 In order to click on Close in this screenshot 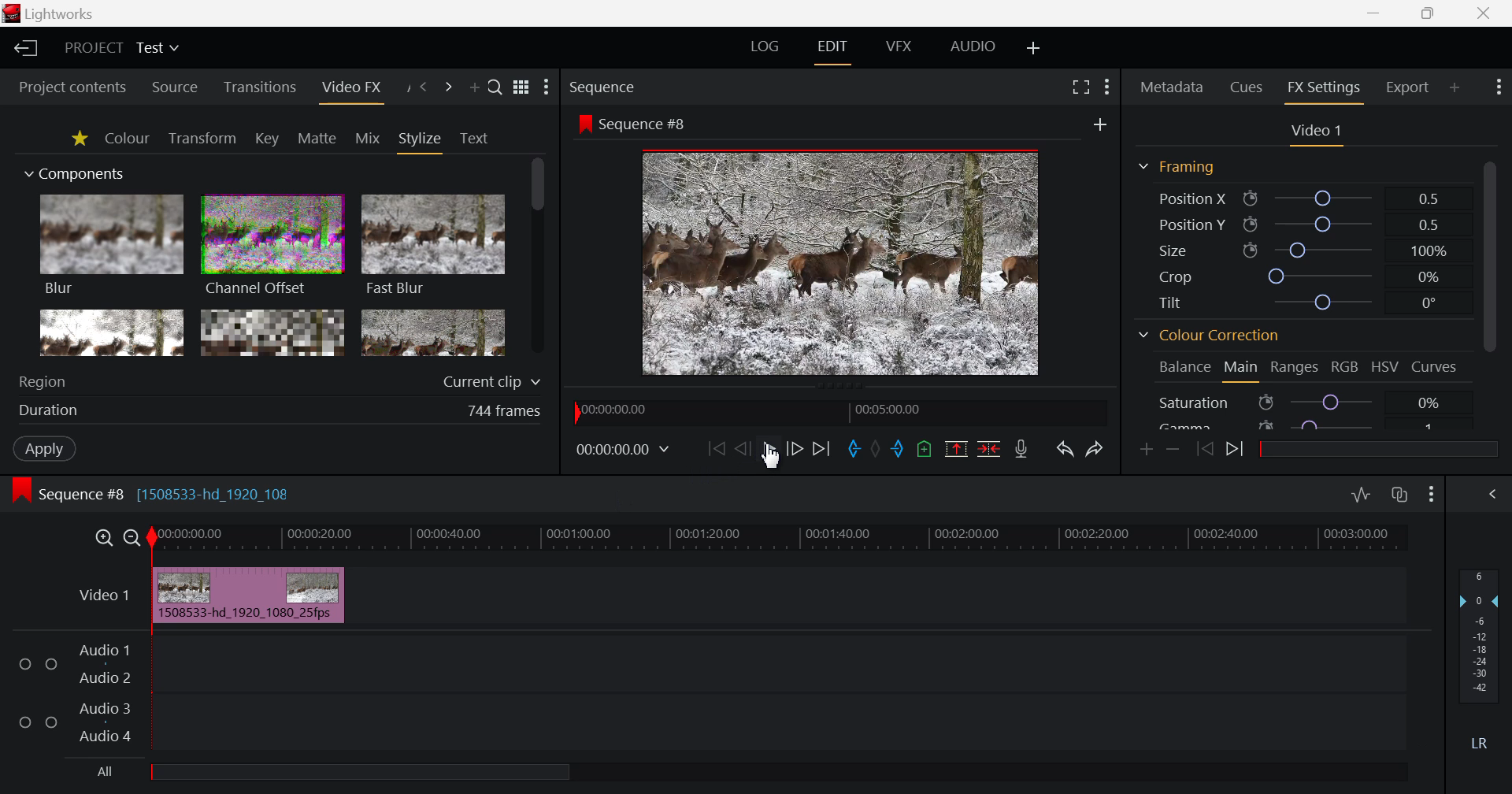, I will do `click(1487, 13)`.